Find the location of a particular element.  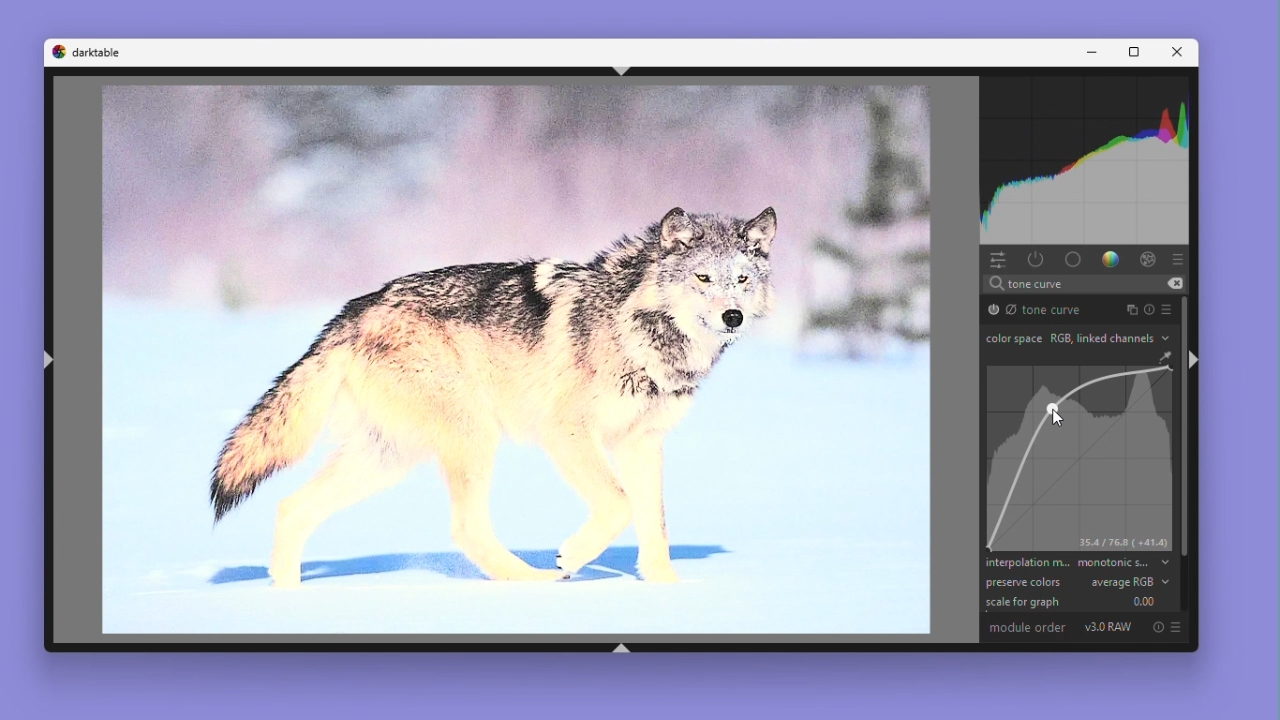

preset is located at coordinates (1166, 308).